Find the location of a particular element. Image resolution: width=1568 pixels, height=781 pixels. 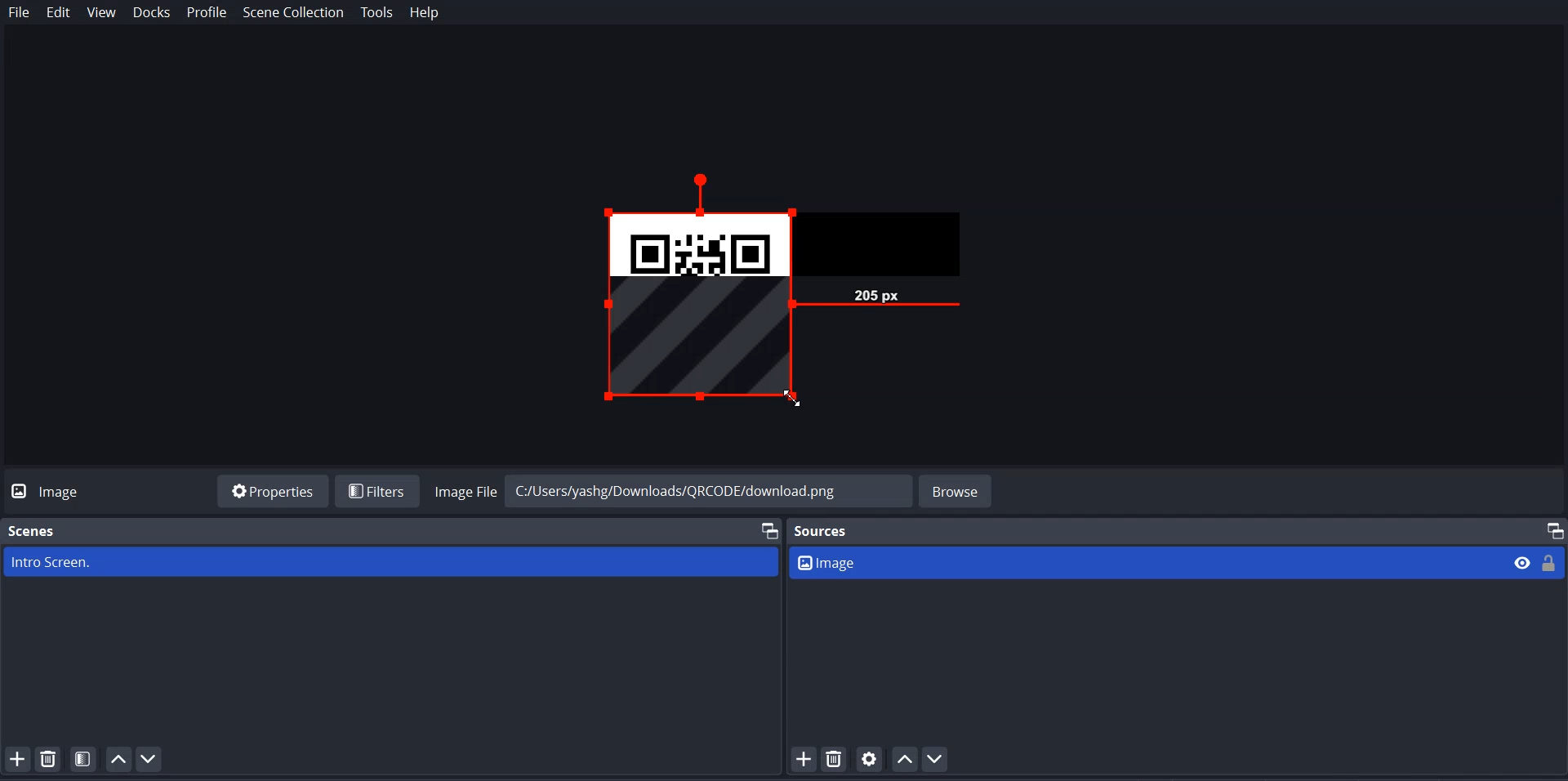

View is located at coordinates (100, 14).